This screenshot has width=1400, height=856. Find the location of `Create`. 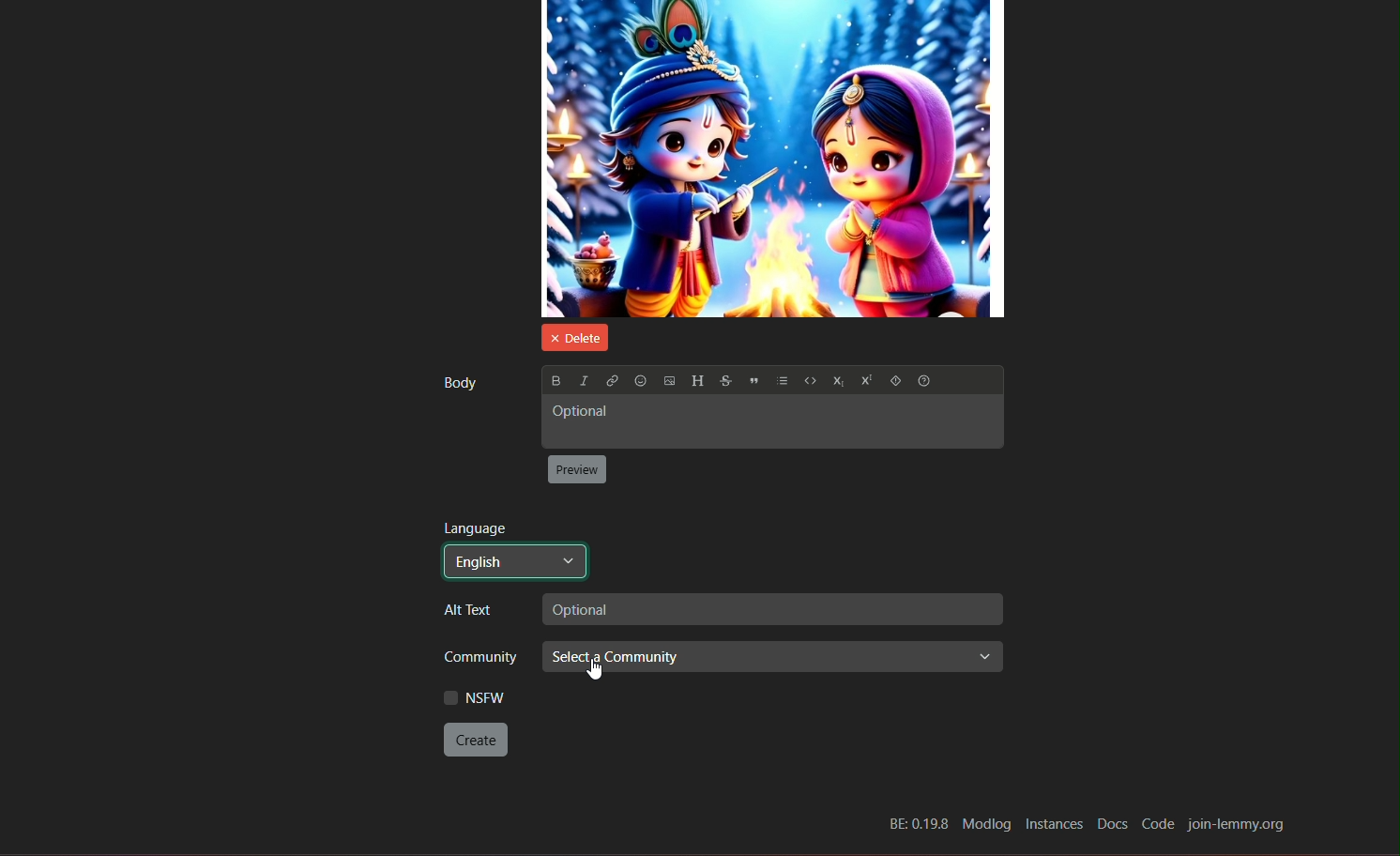

Create is located at coordinates (477, 740).